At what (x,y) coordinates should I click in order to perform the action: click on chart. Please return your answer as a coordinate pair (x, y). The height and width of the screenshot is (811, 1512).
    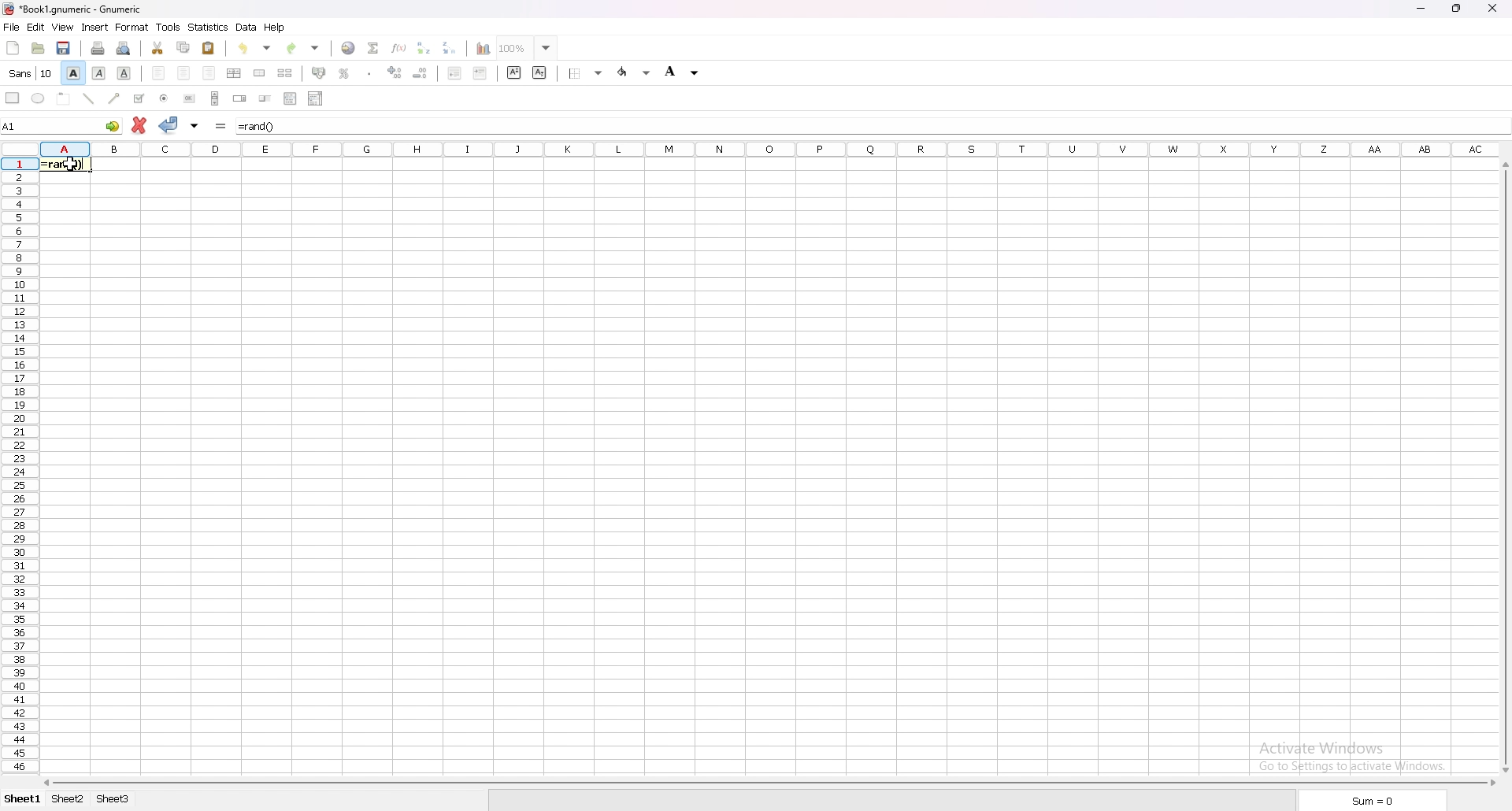
    Looking at the image, I should click on (484, 49).